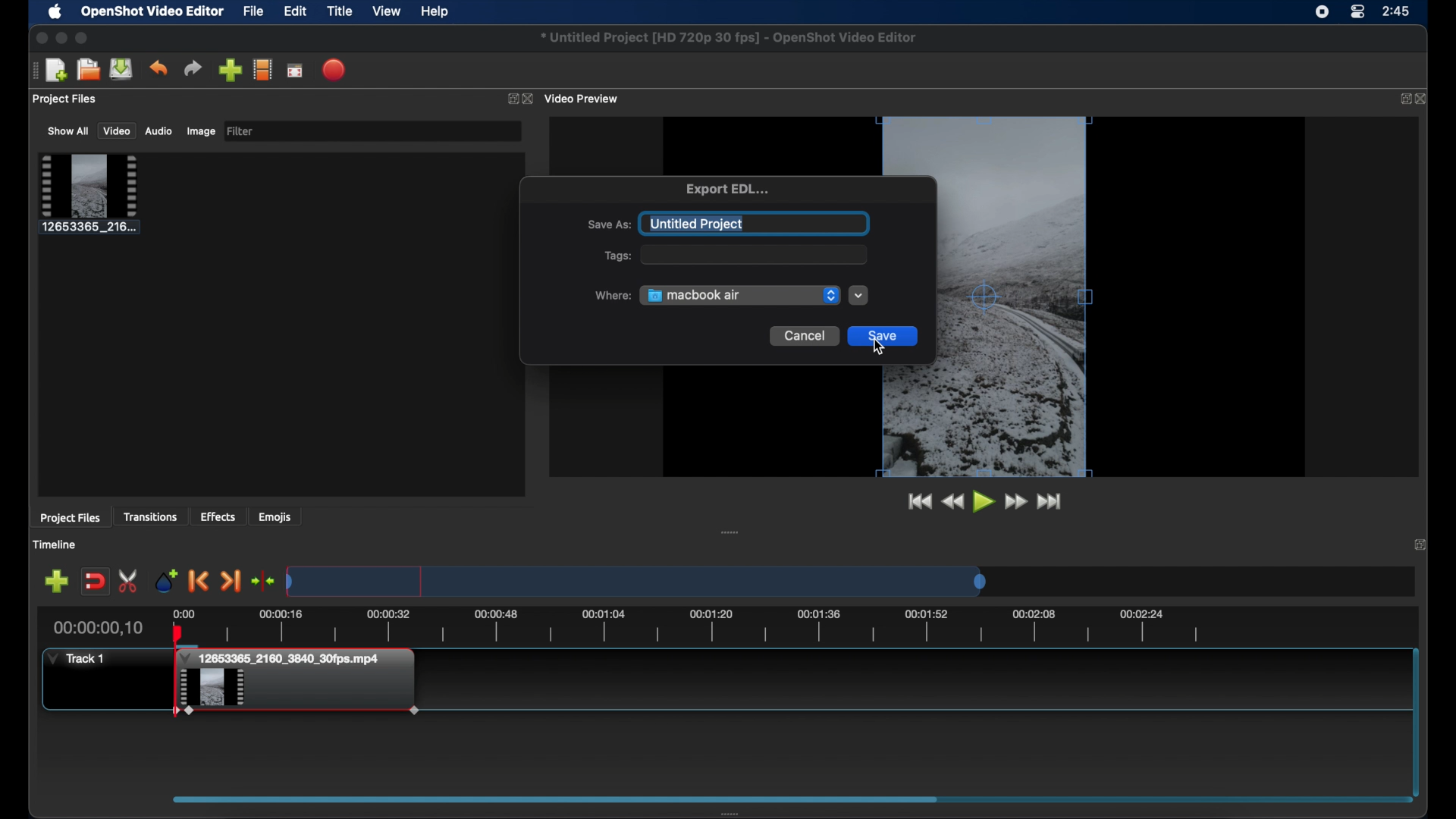 Image resolution: width=1456 pixels, height=819 pixels. Describe the element at coordinates (285, 658) in the screenshot. I see `clip title` at that location.